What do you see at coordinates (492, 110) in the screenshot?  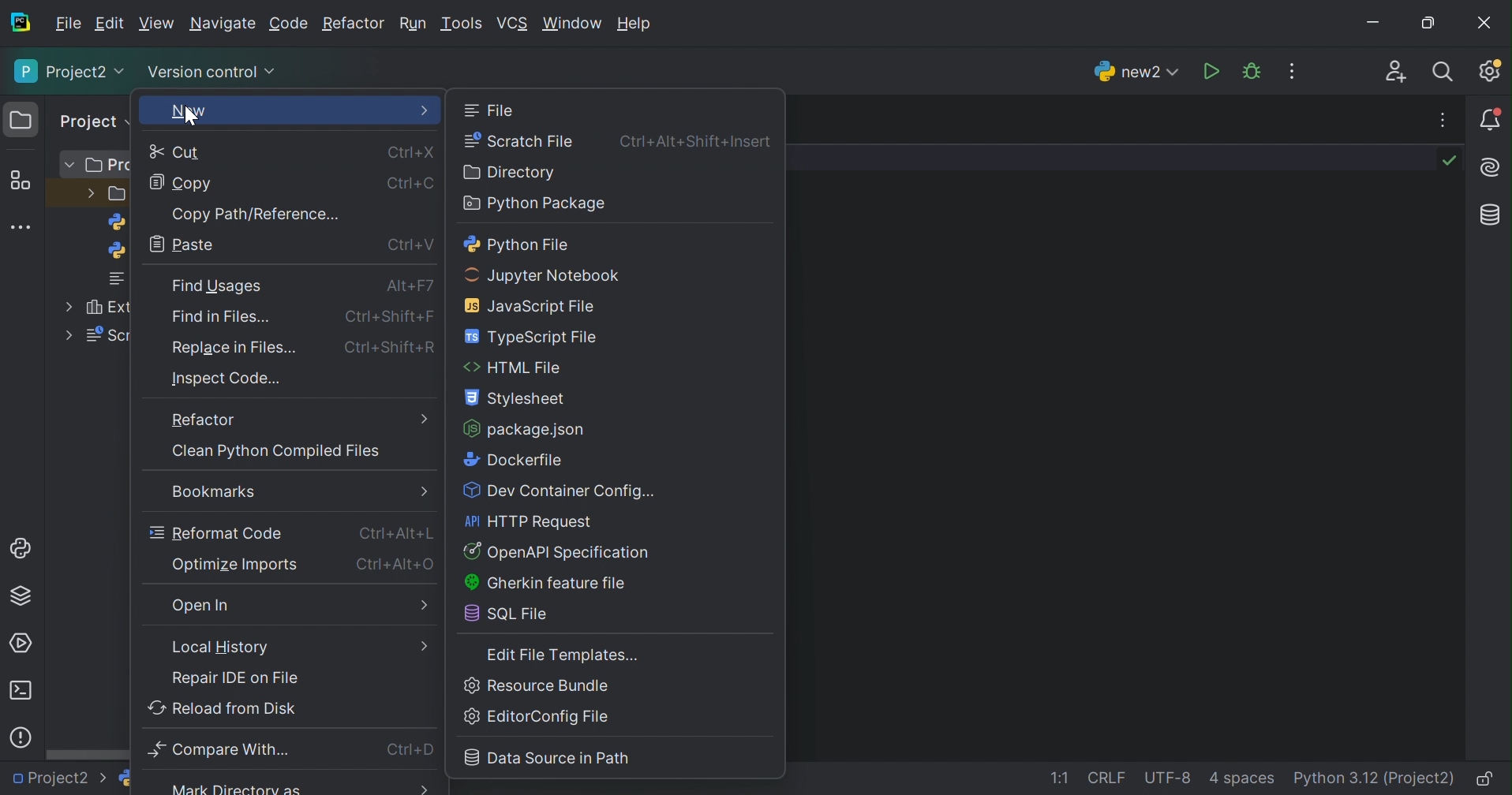 I see `File` at bounding box center [492, 110].